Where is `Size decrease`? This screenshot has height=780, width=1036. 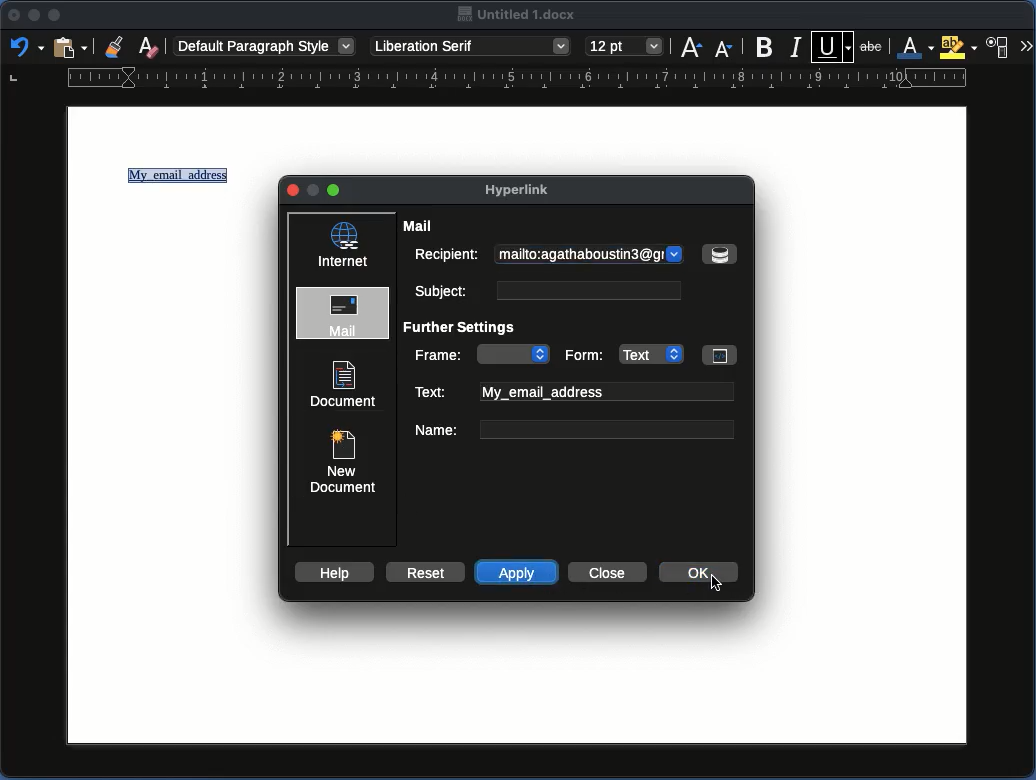 Size decrease is located at coordinates (723, 49).